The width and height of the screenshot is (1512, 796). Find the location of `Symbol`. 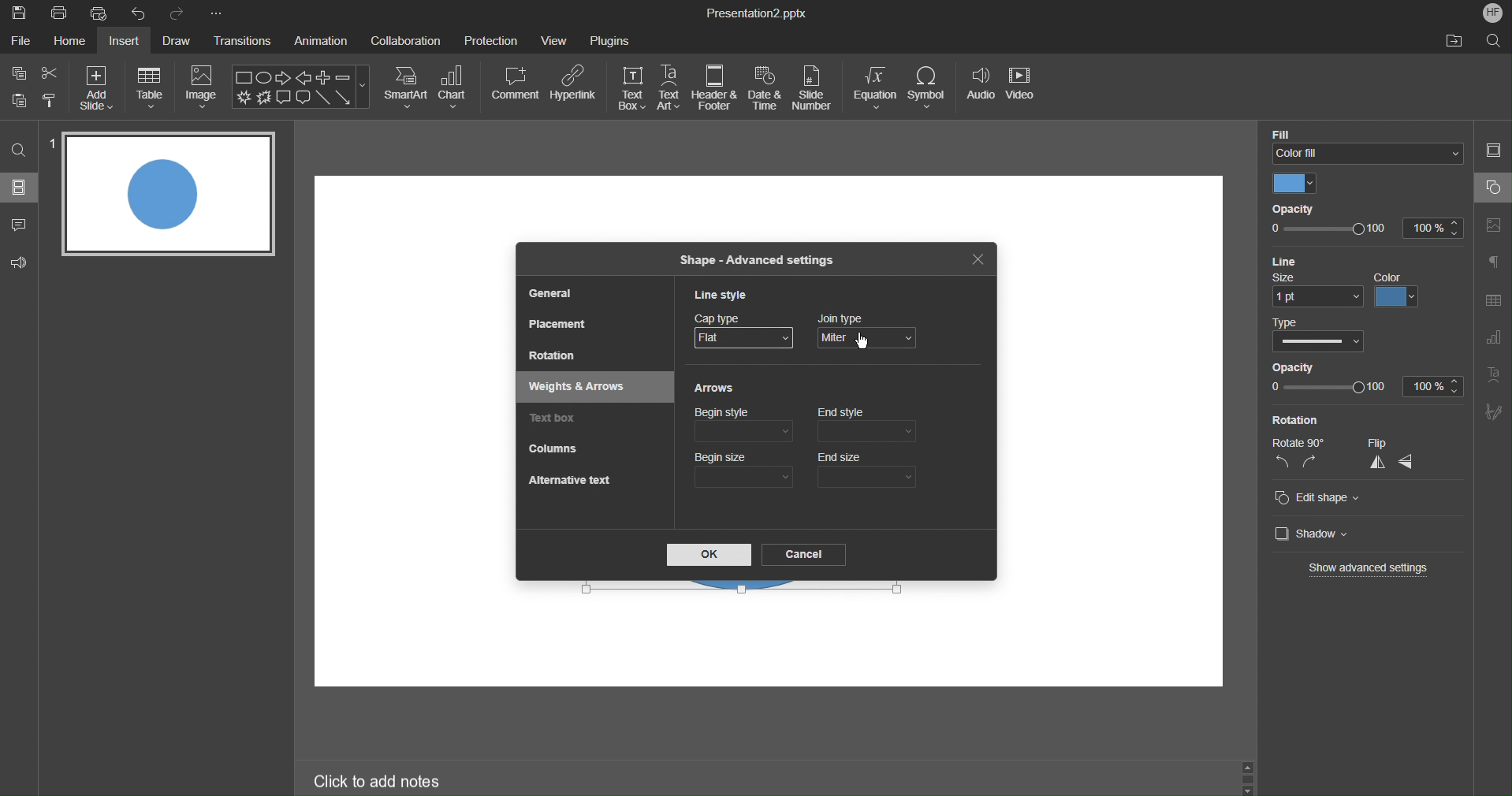

Symbol is located at coordinates (929, 88).